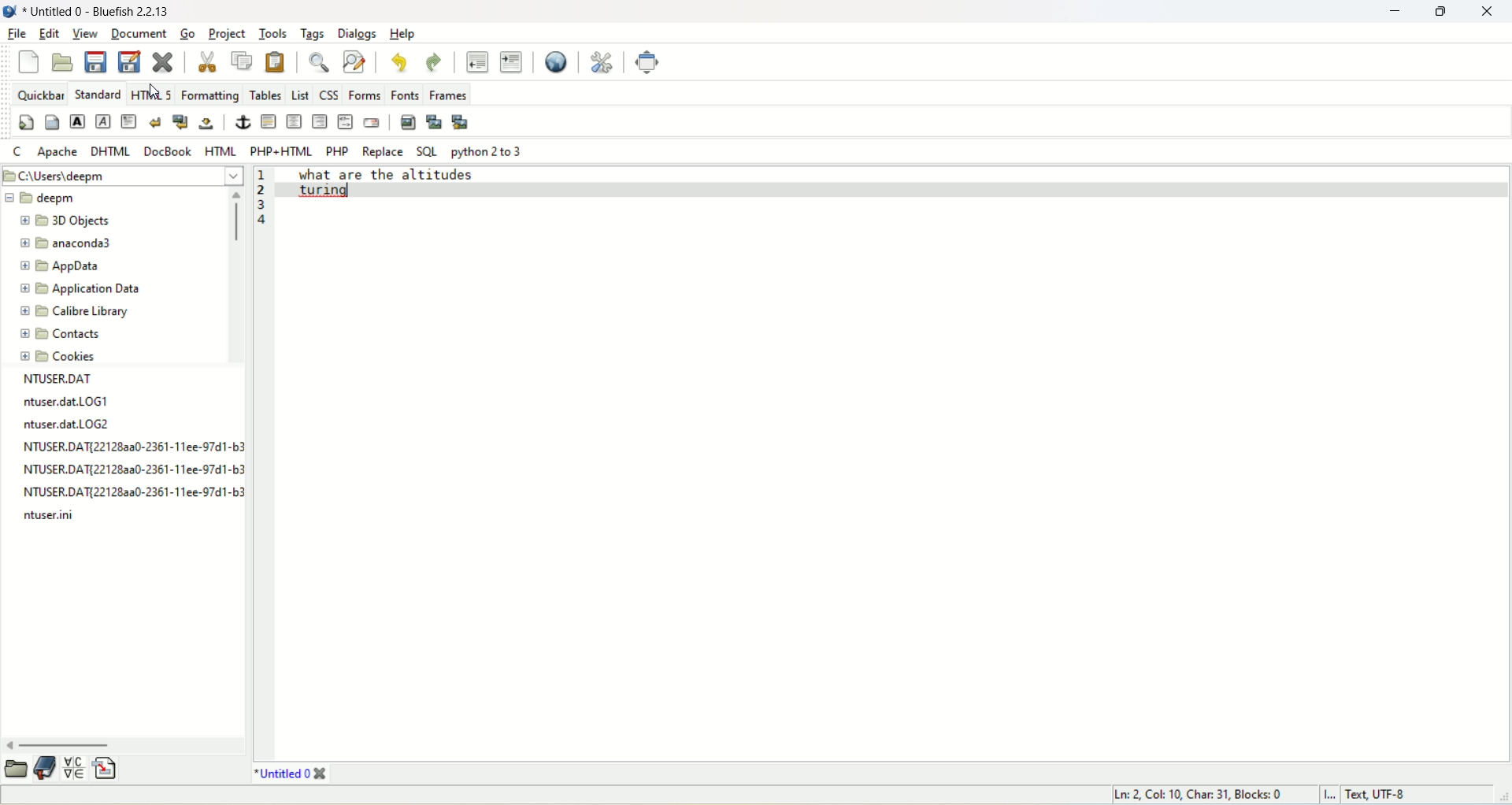  Describe the element at coordinates (556, 61) in the screenshot. I see `preview in browser` at that location.